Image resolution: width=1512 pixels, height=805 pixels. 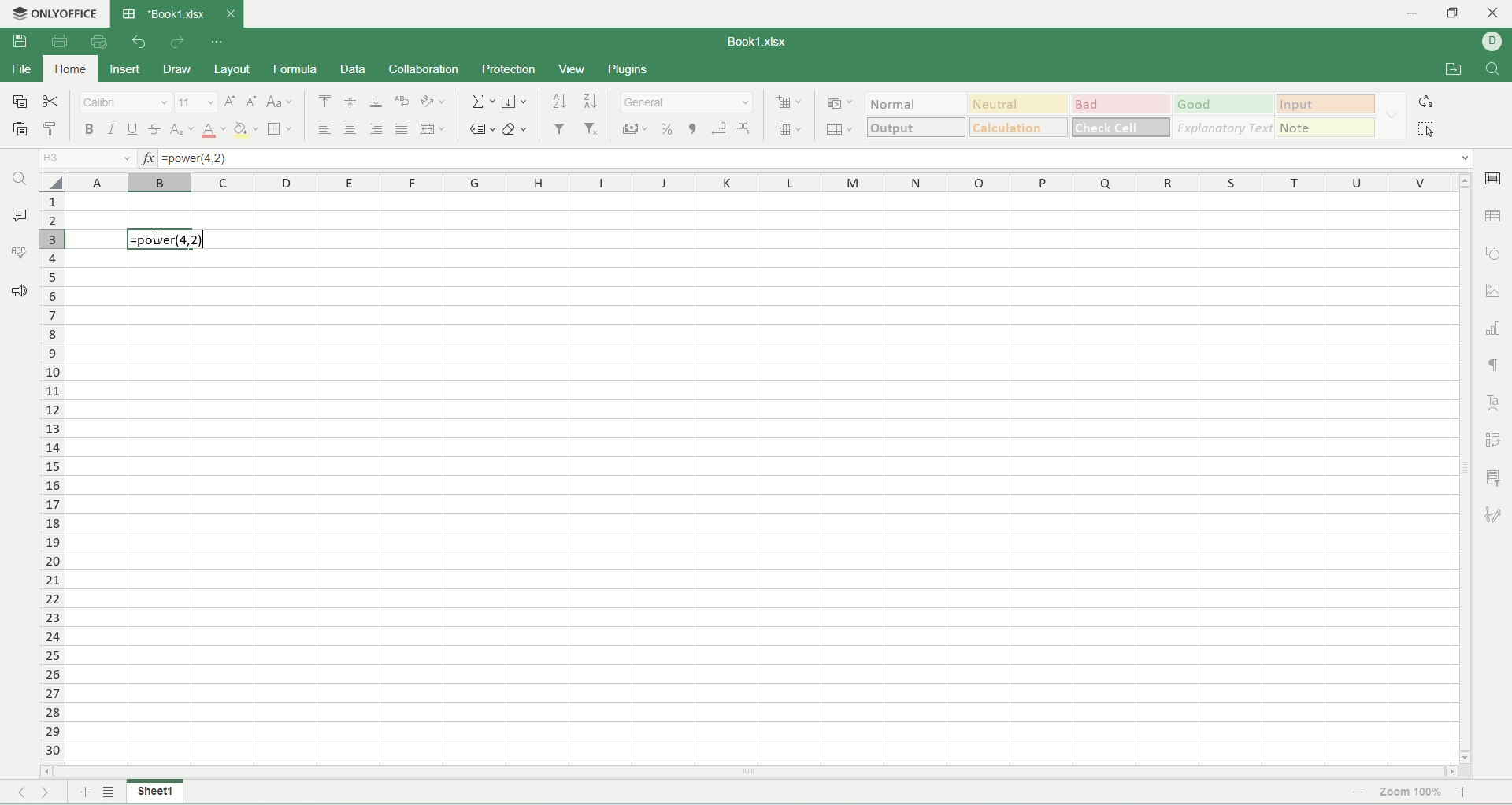 What do you see at coordinates (720, 128) in the screenshot?
I see `decrease decimal` at bounding box center [720, 128].